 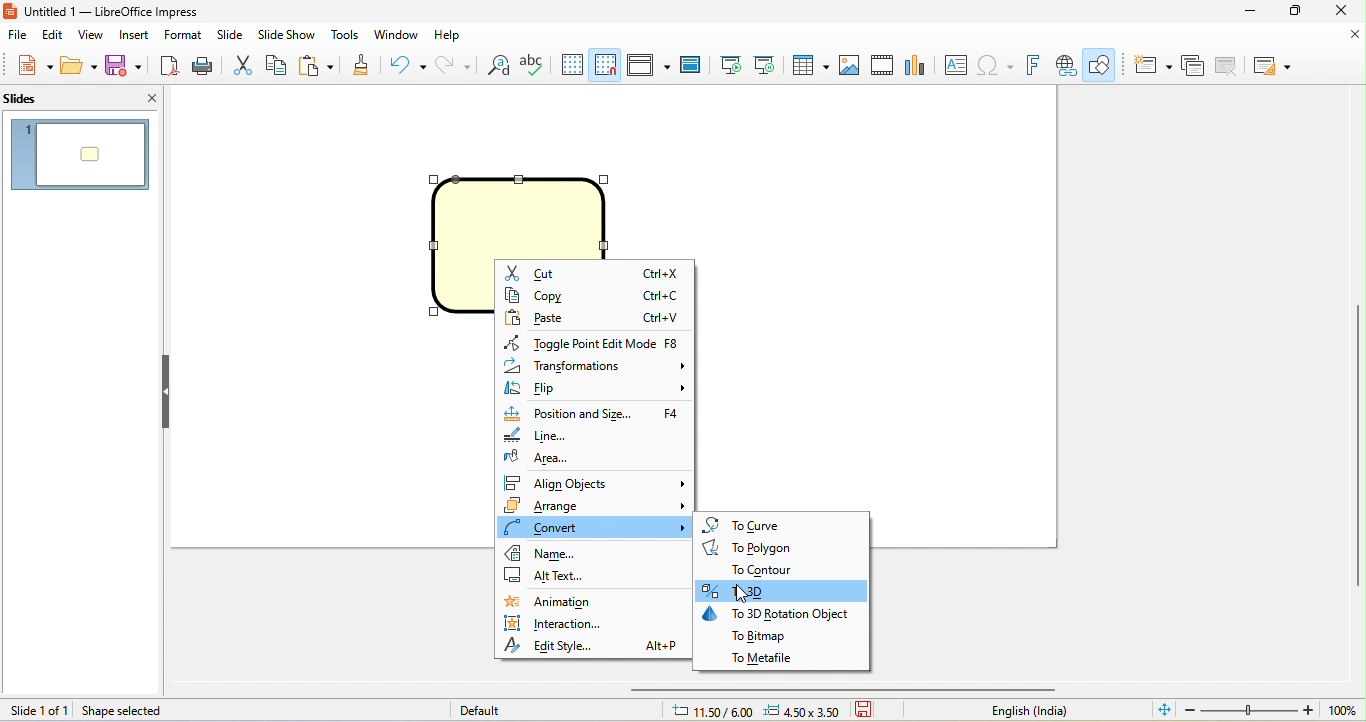 I want to click on format, so click(x=184, y=35).